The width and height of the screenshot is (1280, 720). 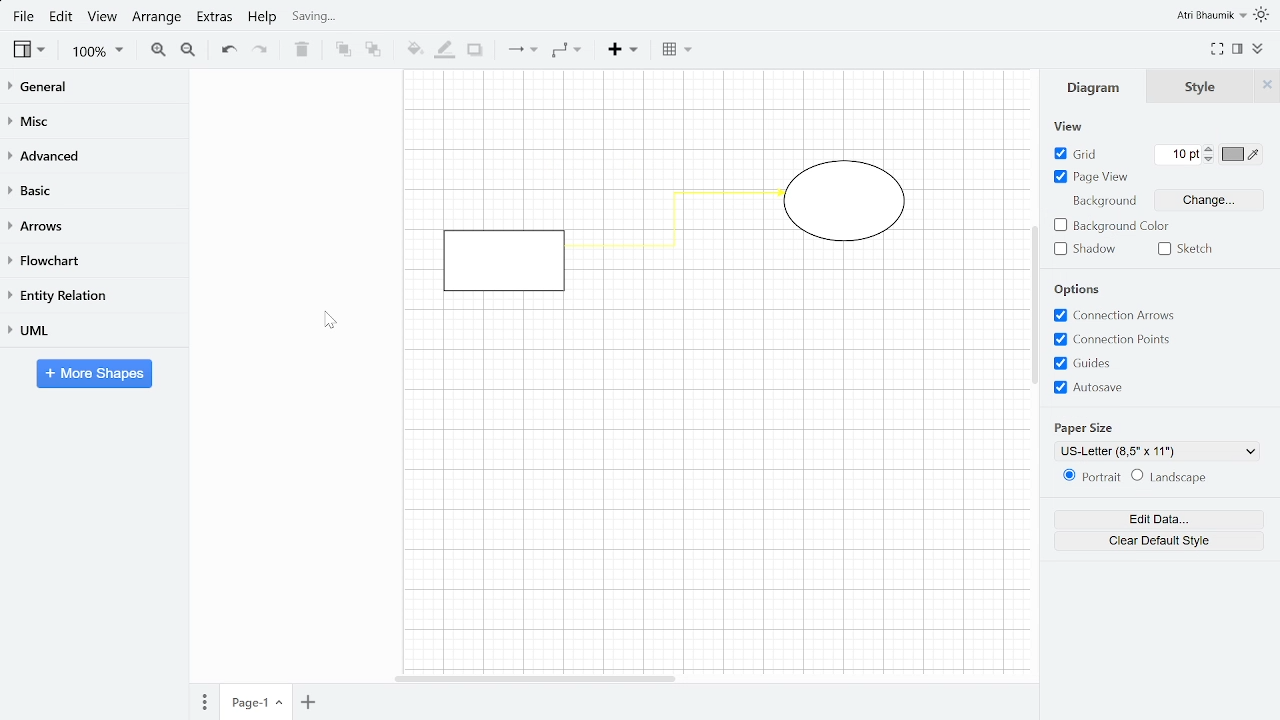 I want to click on To front, so click(x=344, y=50).